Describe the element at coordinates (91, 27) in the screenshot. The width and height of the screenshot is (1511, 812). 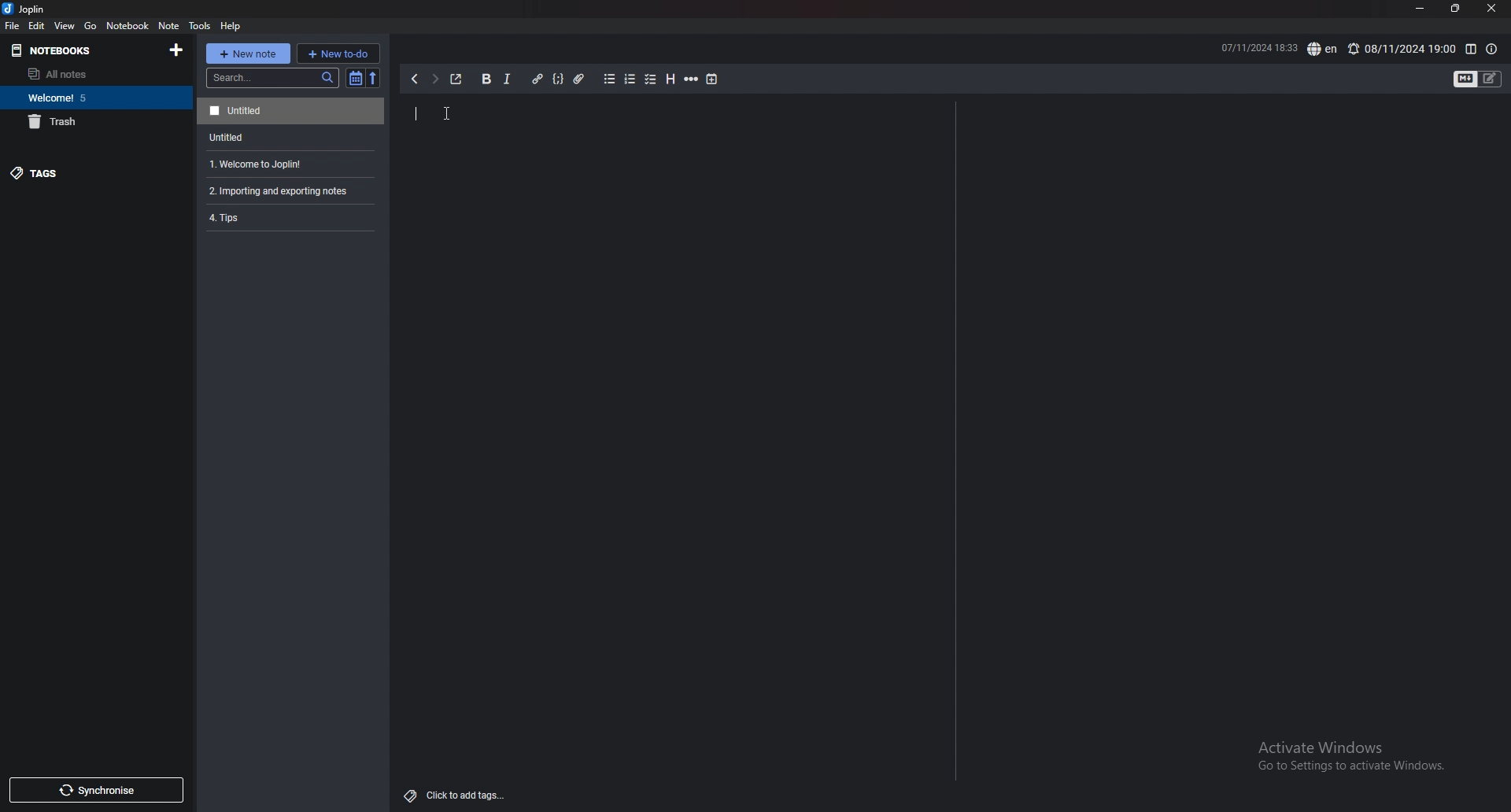
I see `go` at that location.